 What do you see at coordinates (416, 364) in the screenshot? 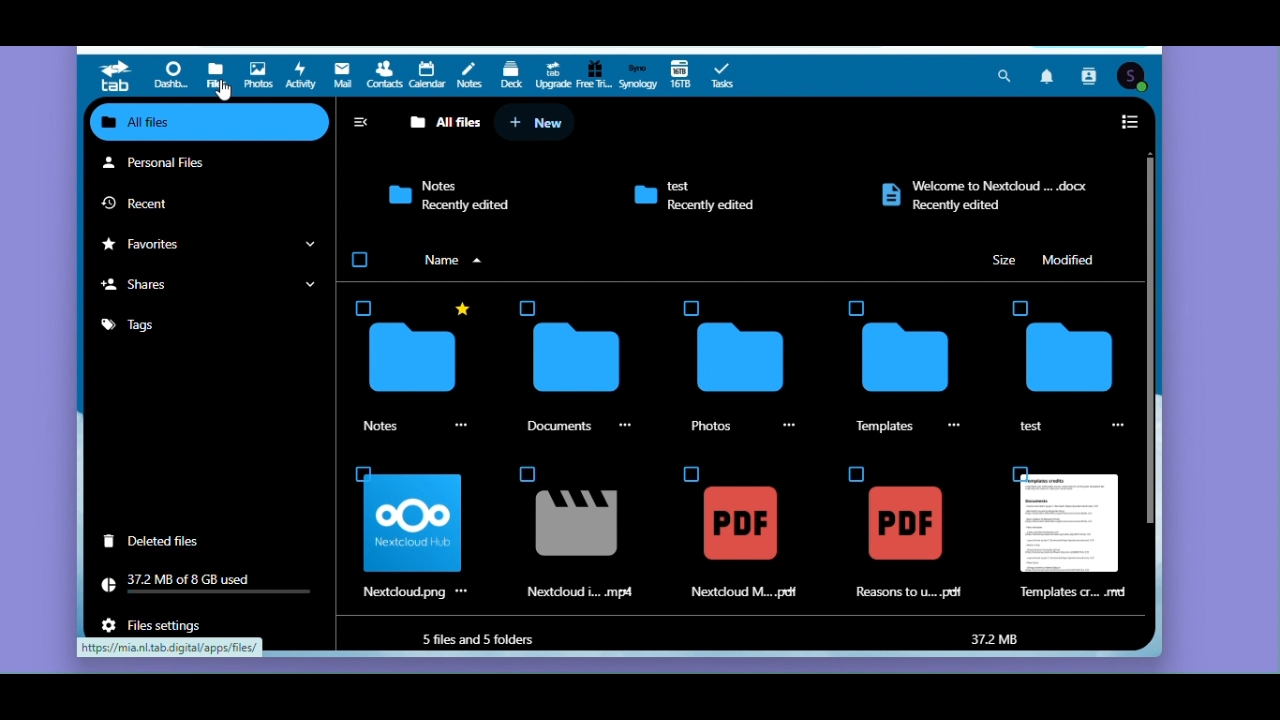
I see `notes` at bounding box center [416, 364].